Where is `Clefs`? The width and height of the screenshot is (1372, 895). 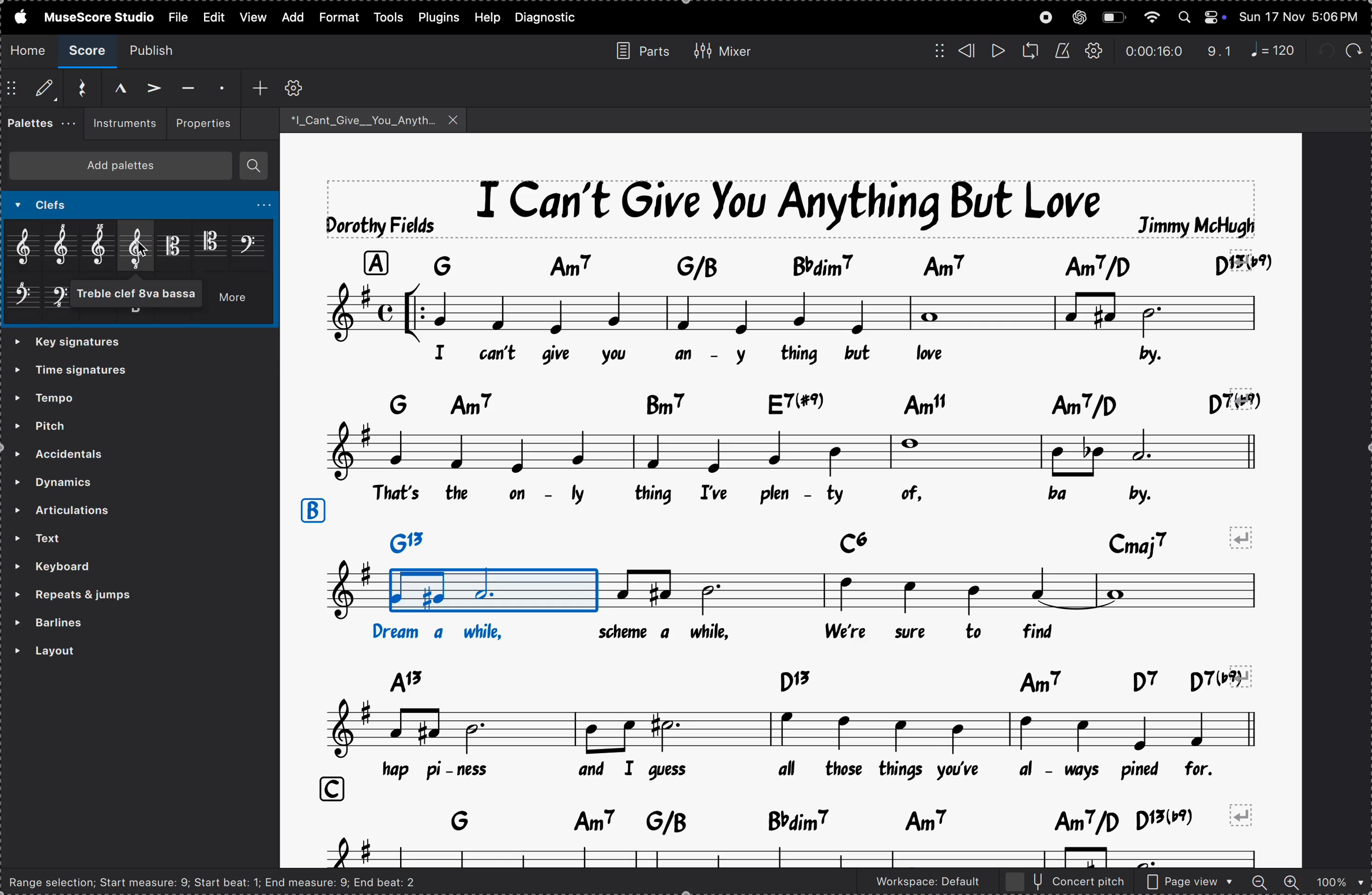
Clefs is located at coordinates (89, 206).